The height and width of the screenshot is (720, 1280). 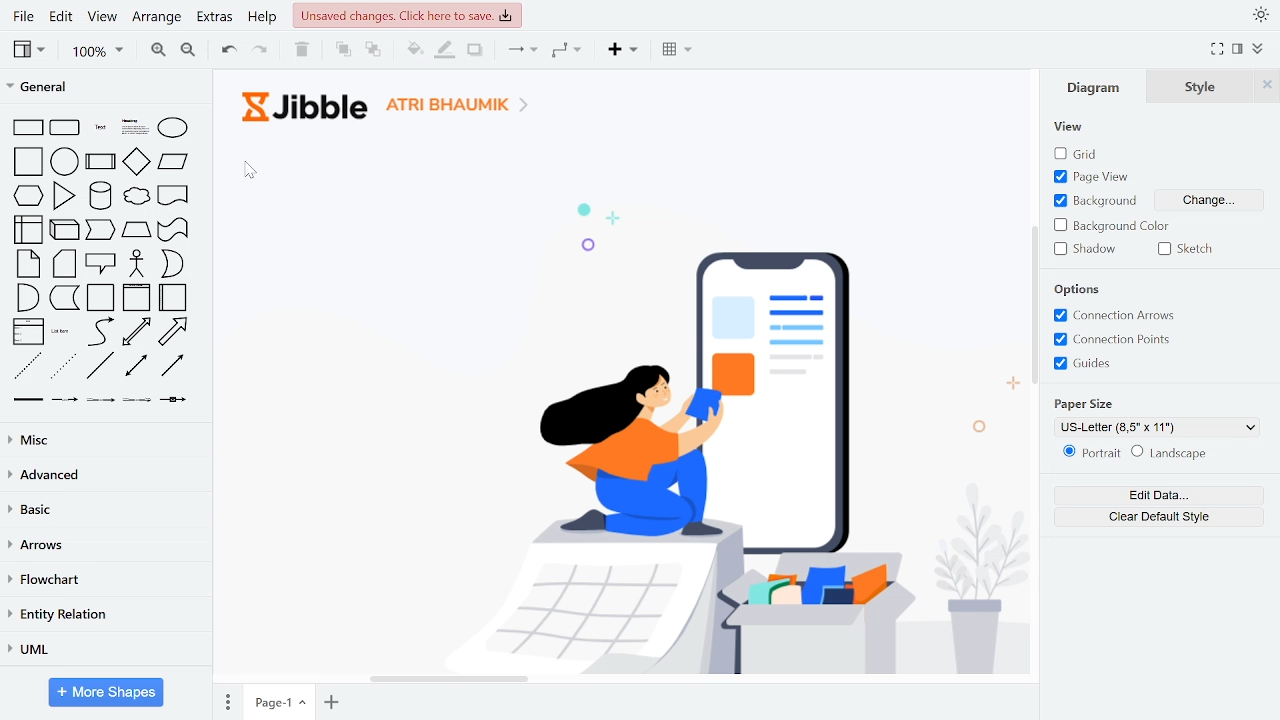 What do you see at coordinates (103, 18) in the screenshot?
I see `view` at bounding box center [103, 18].